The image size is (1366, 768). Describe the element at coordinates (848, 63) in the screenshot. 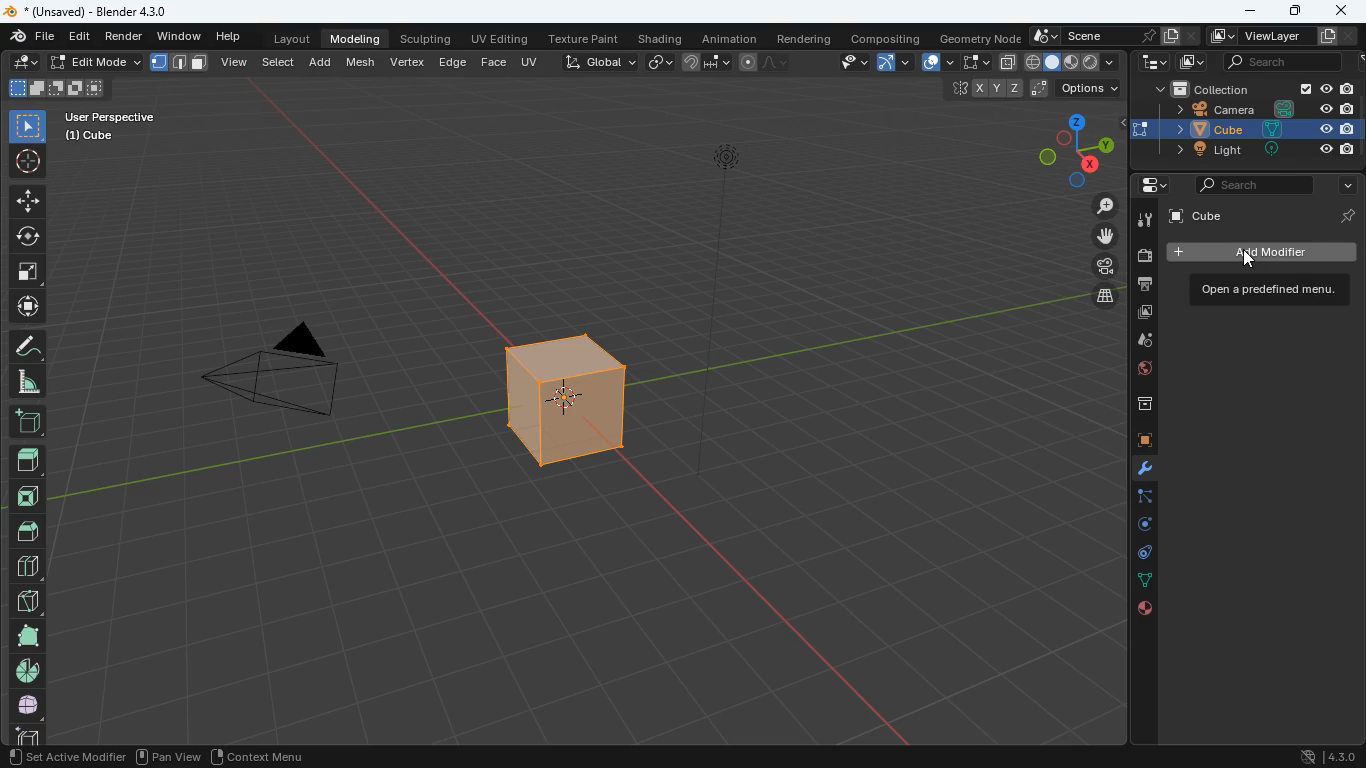

I see `view` at that location.